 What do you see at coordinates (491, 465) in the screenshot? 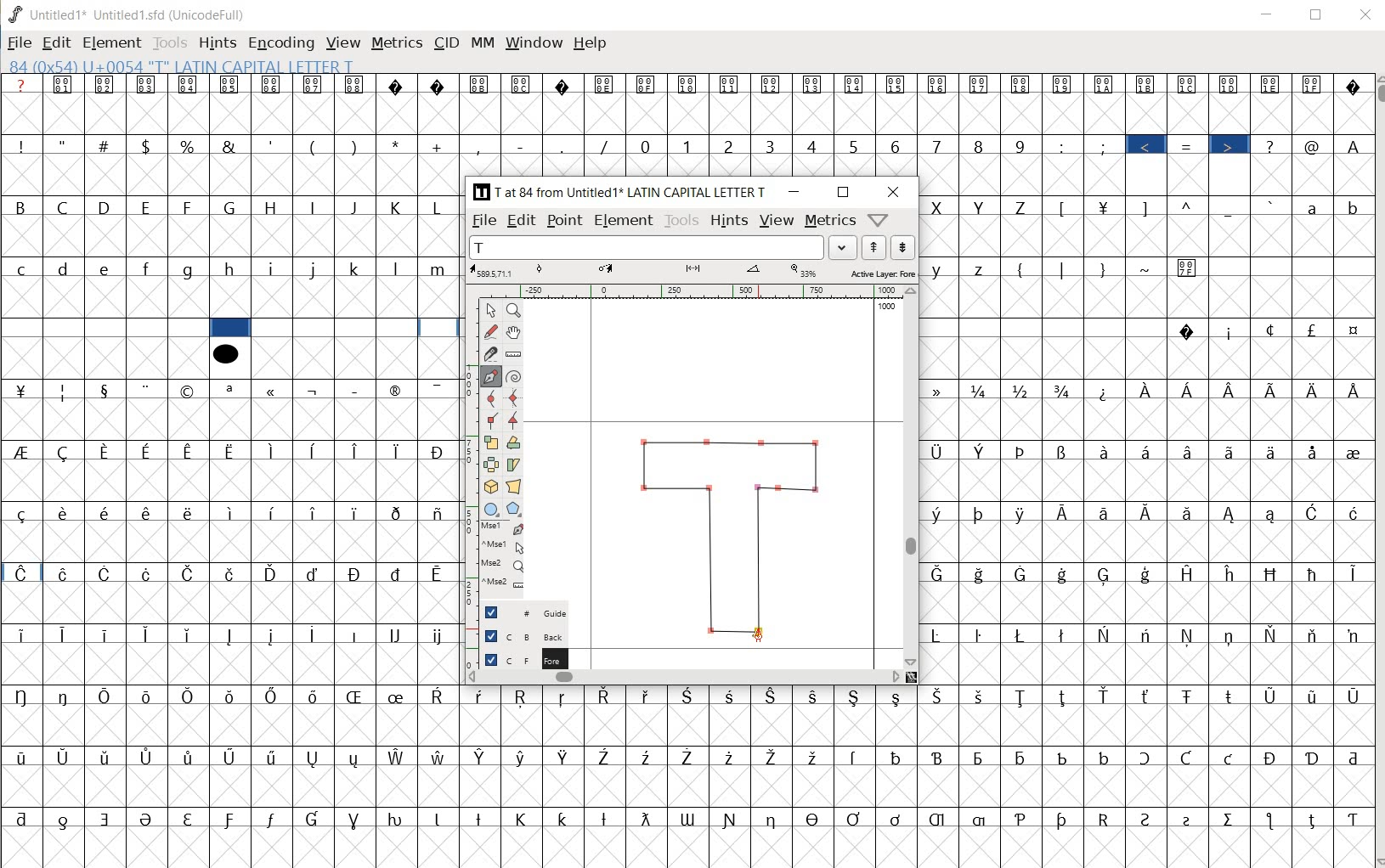
I see `flip` at bounding box center [491, 465].